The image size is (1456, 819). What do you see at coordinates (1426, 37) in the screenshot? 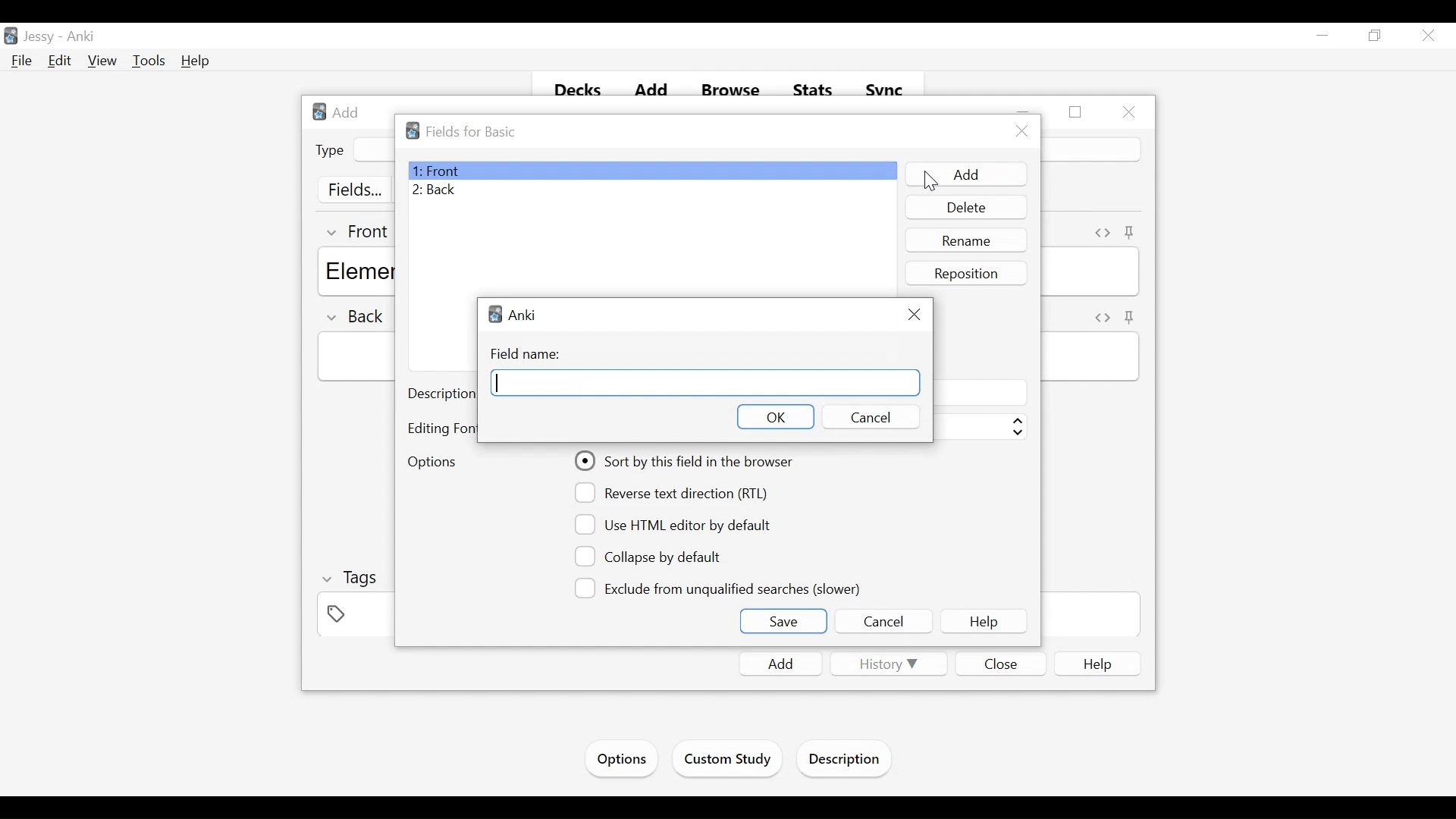
I see `Close` at bounding box center [1426, 37].